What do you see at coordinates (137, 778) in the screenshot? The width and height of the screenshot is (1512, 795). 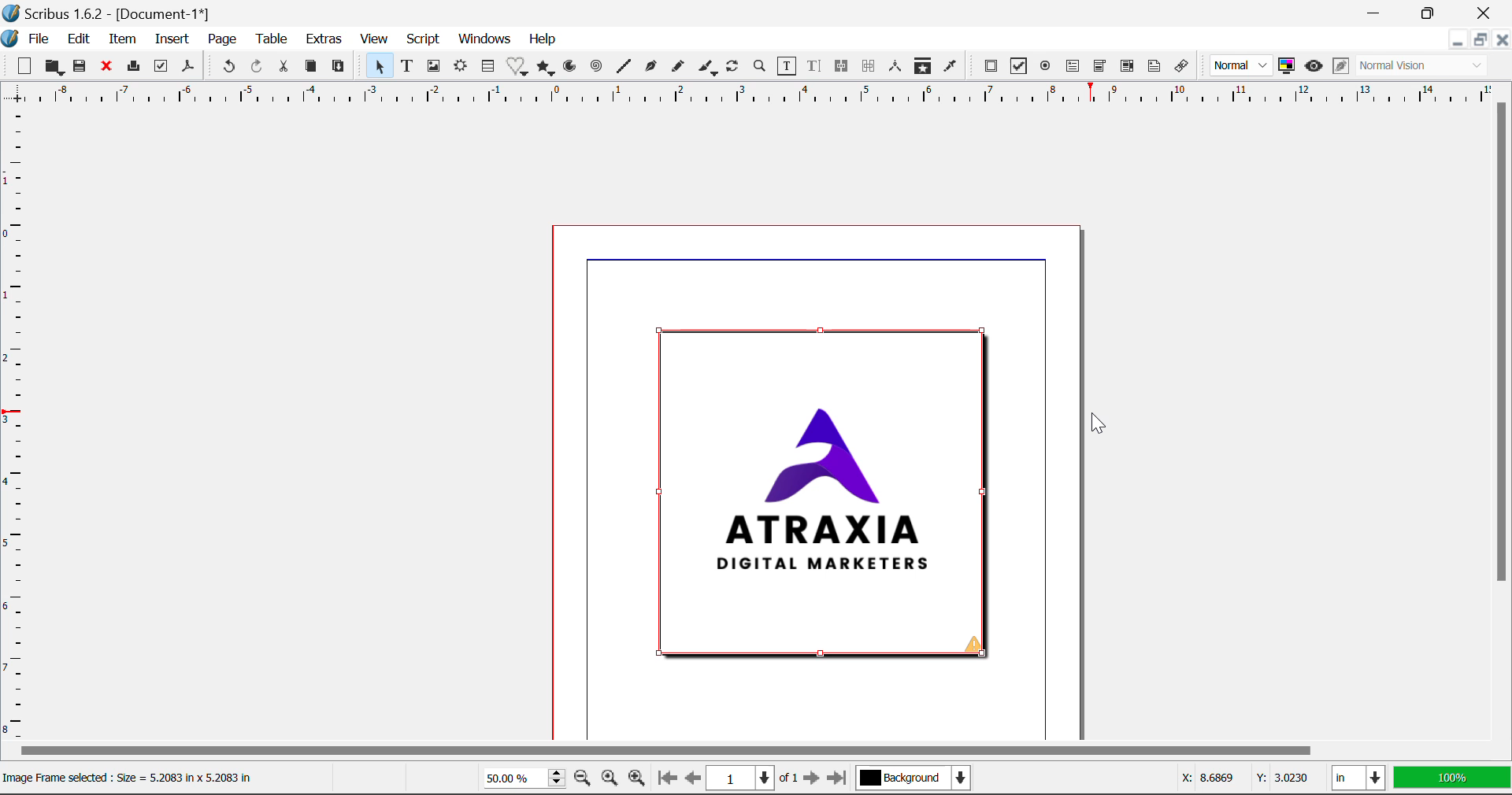 I see `Image Frame selected : Size = 5.2083 in x 5.2083 in` at bounding box center [137, 778].